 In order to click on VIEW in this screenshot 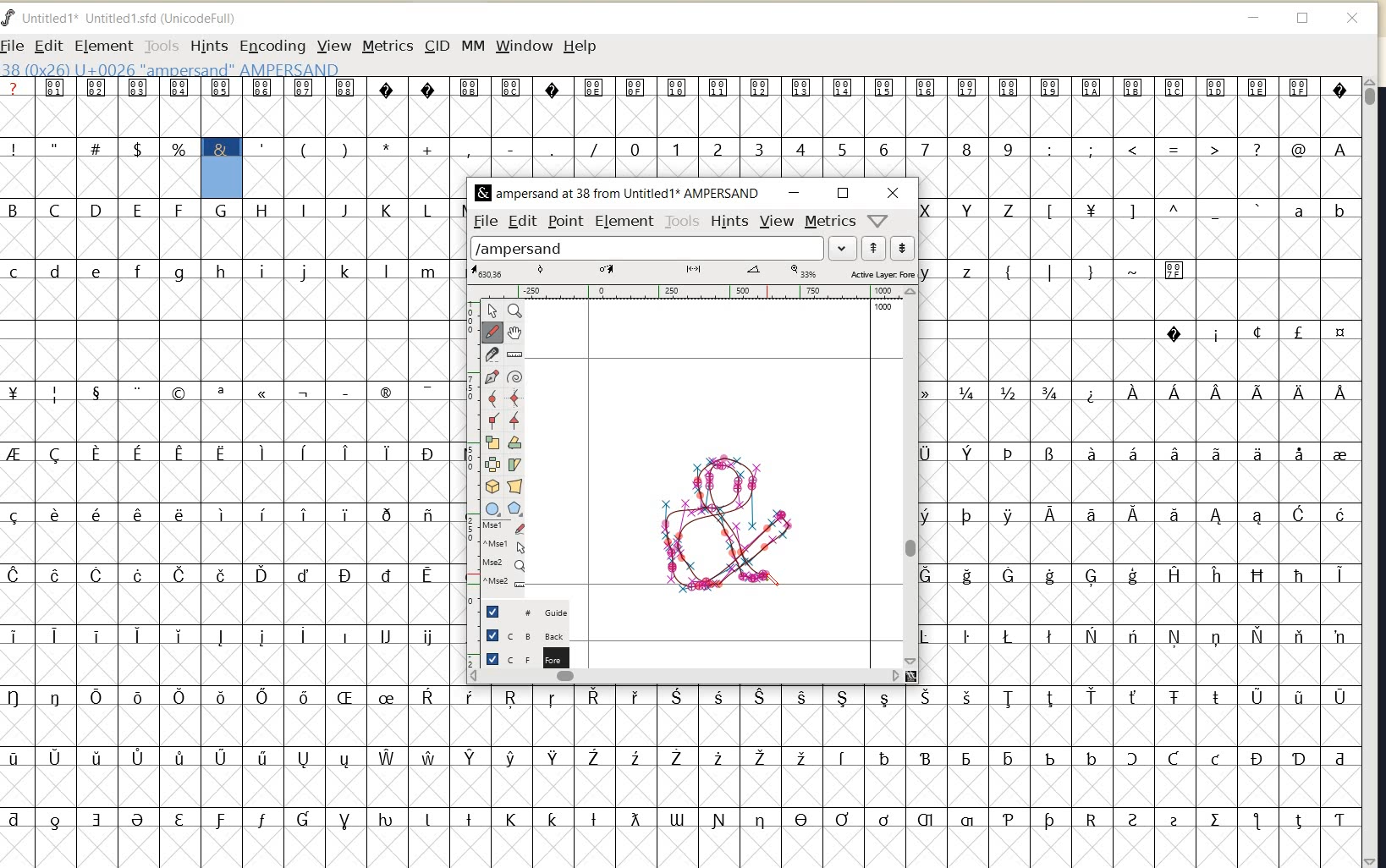, I will do `click(335, 46)`.